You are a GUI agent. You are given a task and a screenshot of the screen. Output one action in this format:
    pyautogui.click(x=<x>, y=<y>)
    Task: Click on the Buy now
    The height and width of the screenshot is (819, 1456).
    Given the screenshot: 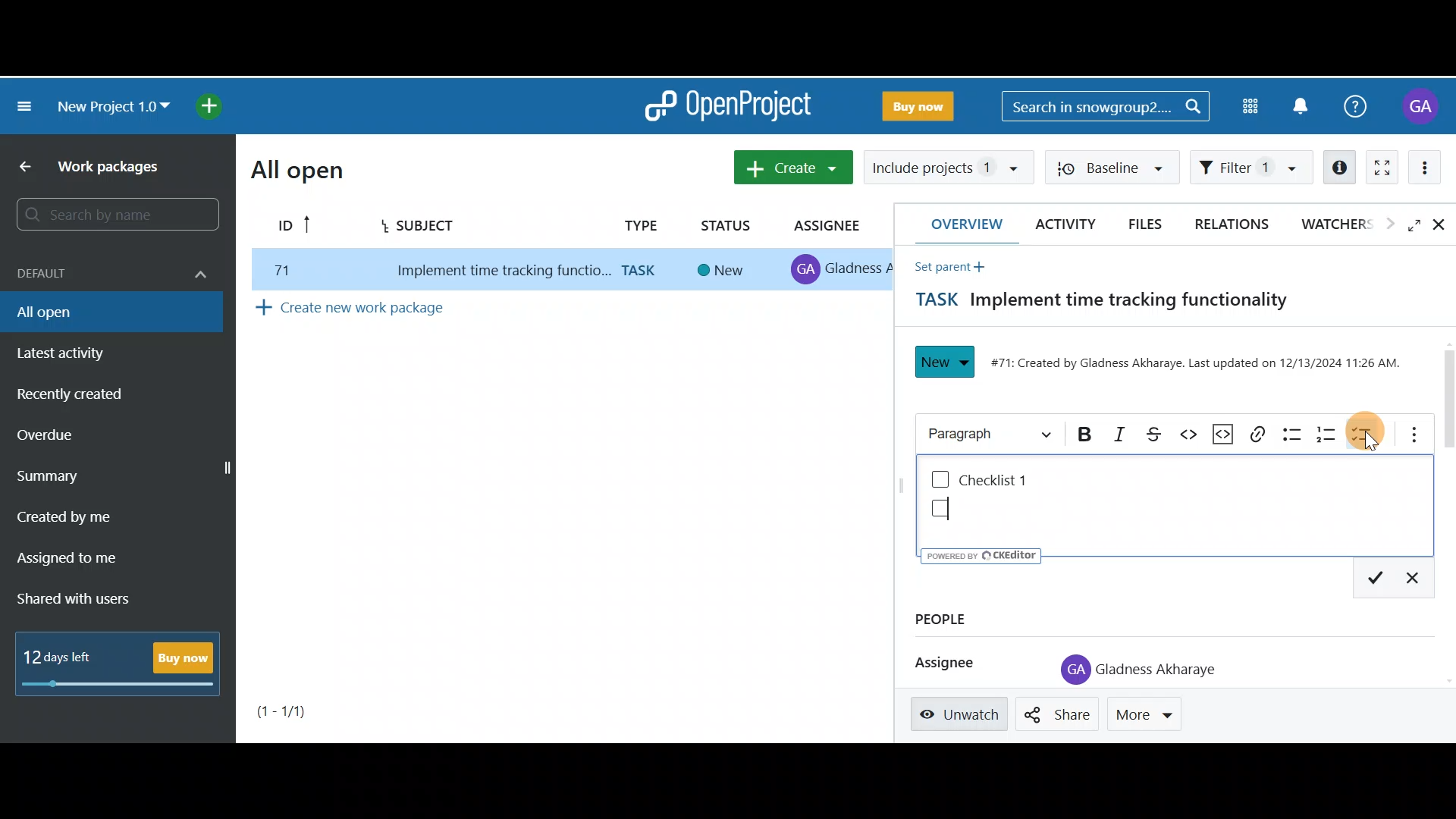 What is the action you would take?
    pyautogui.click(x=905, y=108)
    